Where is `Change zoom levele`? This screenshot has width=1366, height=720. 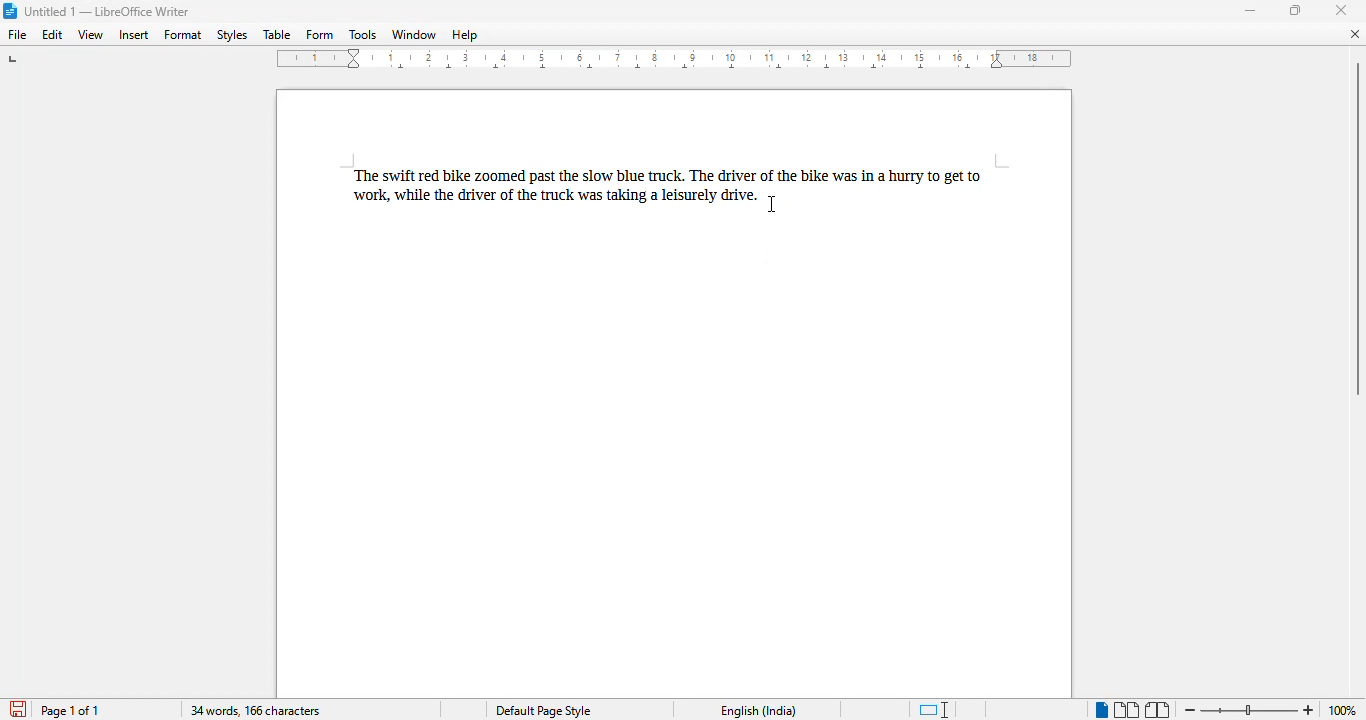 Change zoom levele is located at coordinates (1248, 711).